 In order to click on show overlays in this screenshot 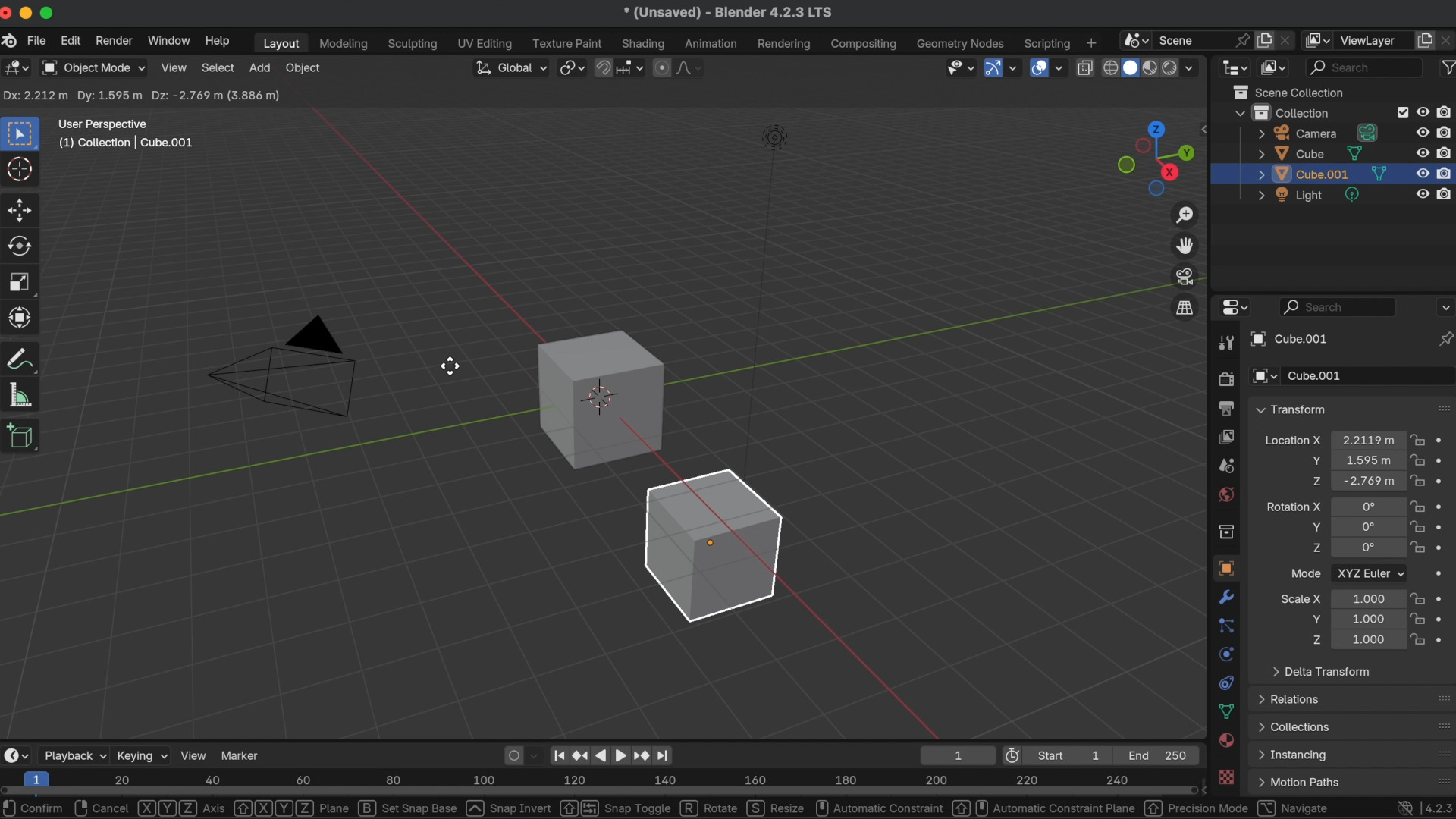, I will do `click(1037, 67)`.